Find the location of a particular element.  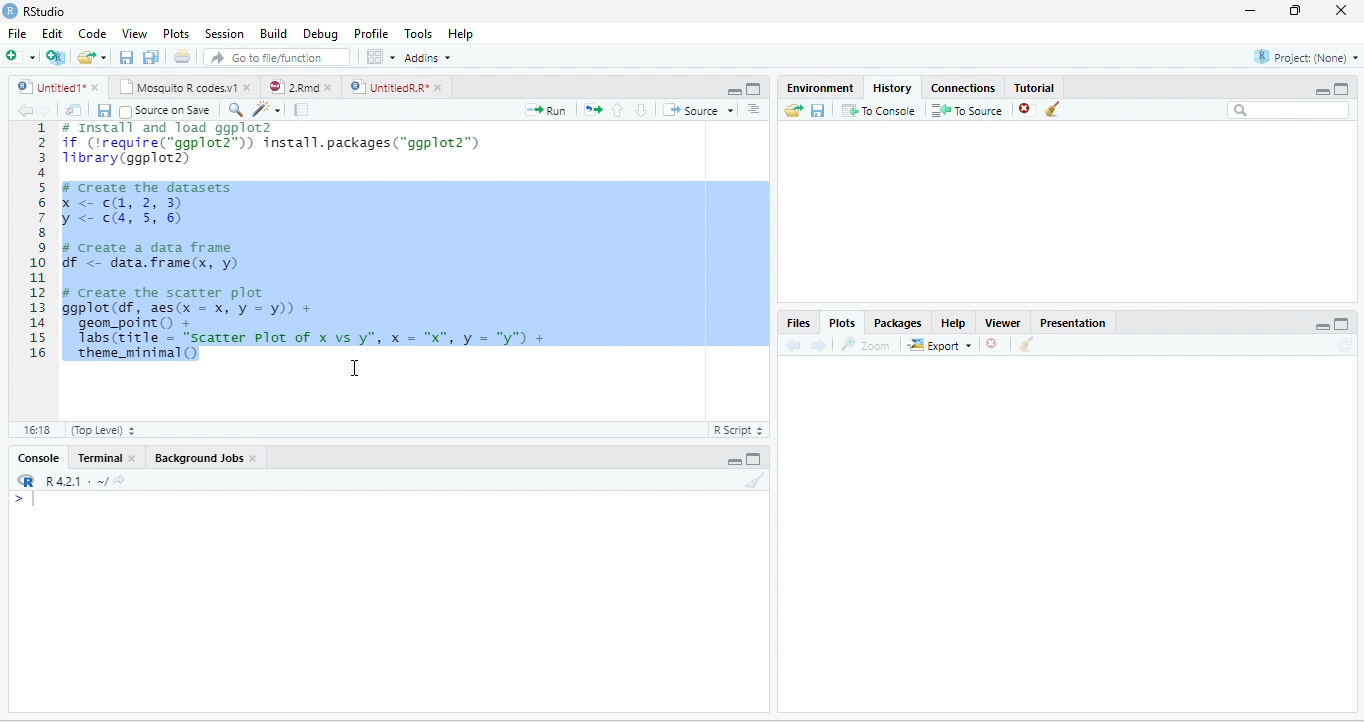

Build is located at coordinates (272, 32).